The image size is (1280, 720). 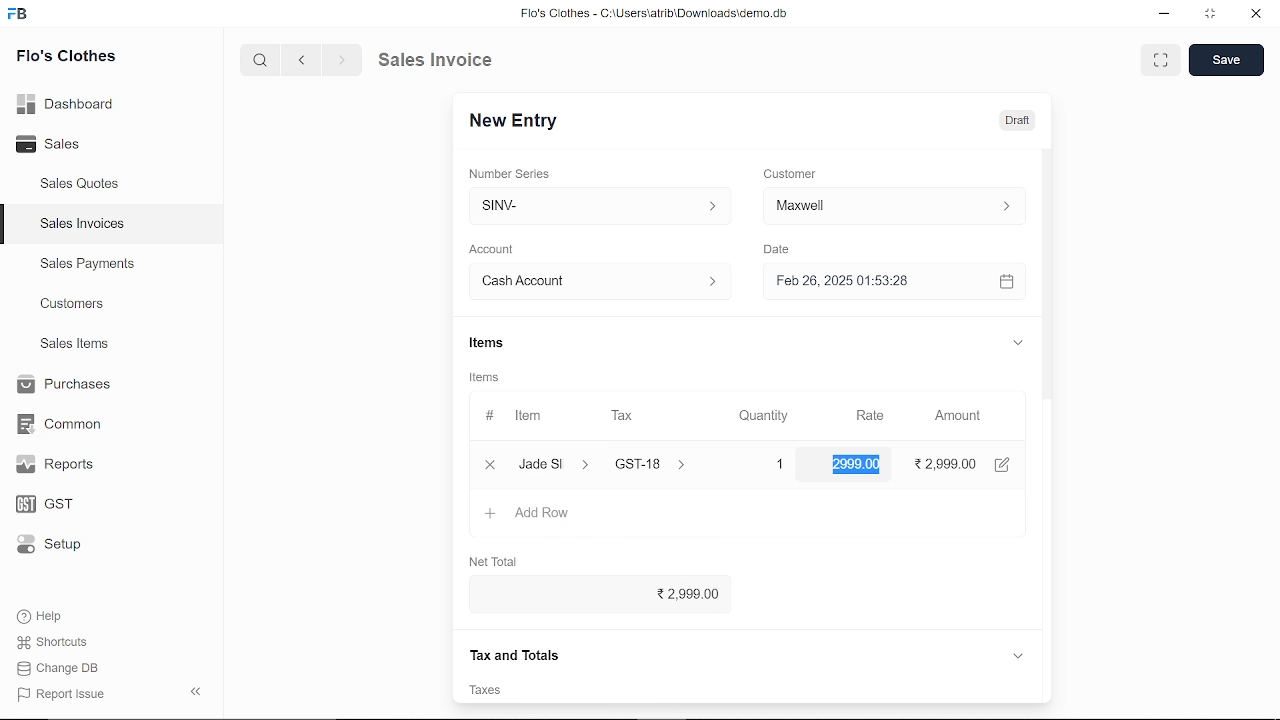 I want to click on ‘Attachment, so click(x=790, y=690).